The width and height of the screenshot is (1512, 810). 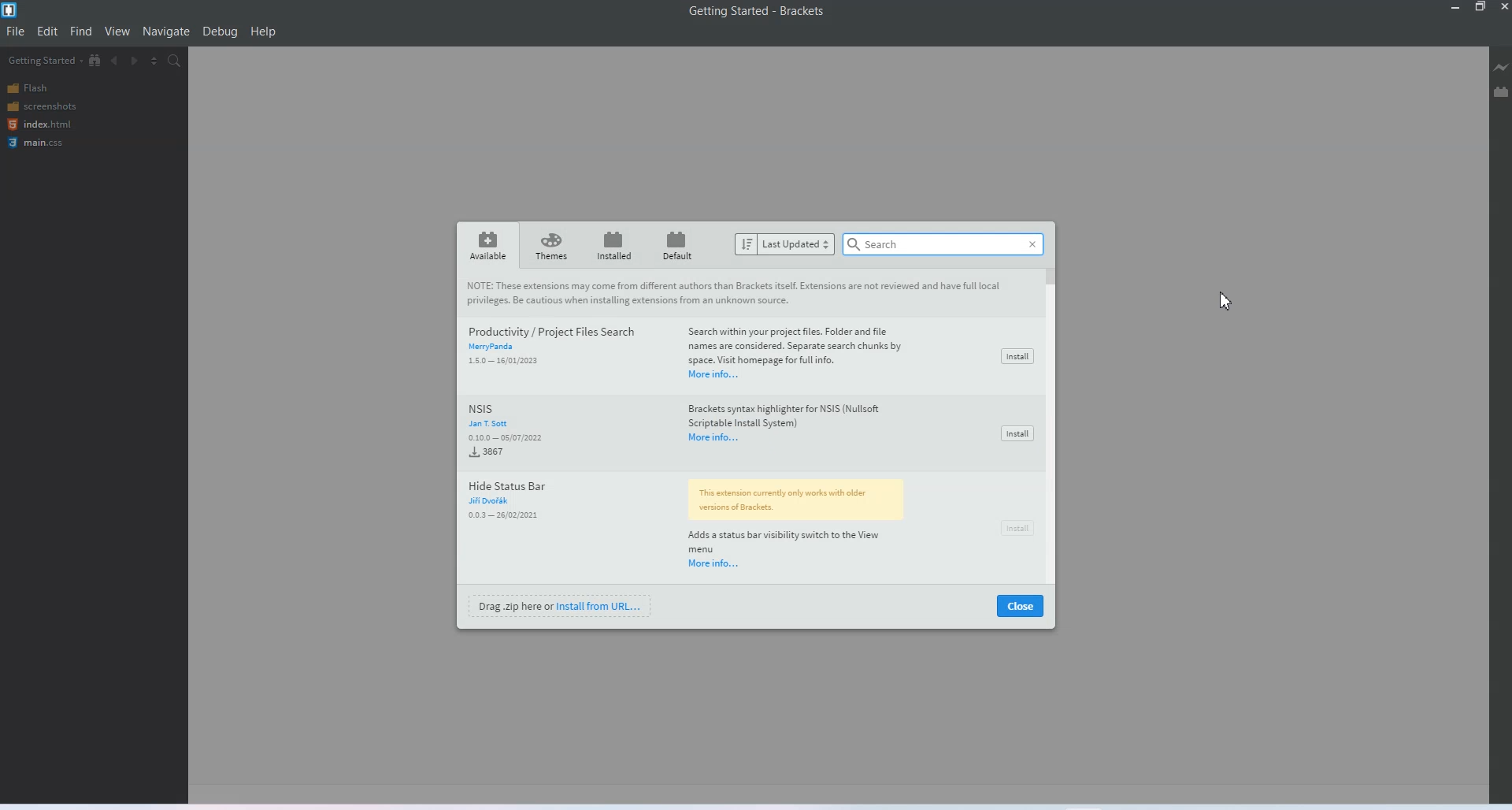 What do you see at coordinates (799, 538) in the screenshot?
I see `Add a status bar visibility switch to the view Menu` at bounding box center [799, 538].